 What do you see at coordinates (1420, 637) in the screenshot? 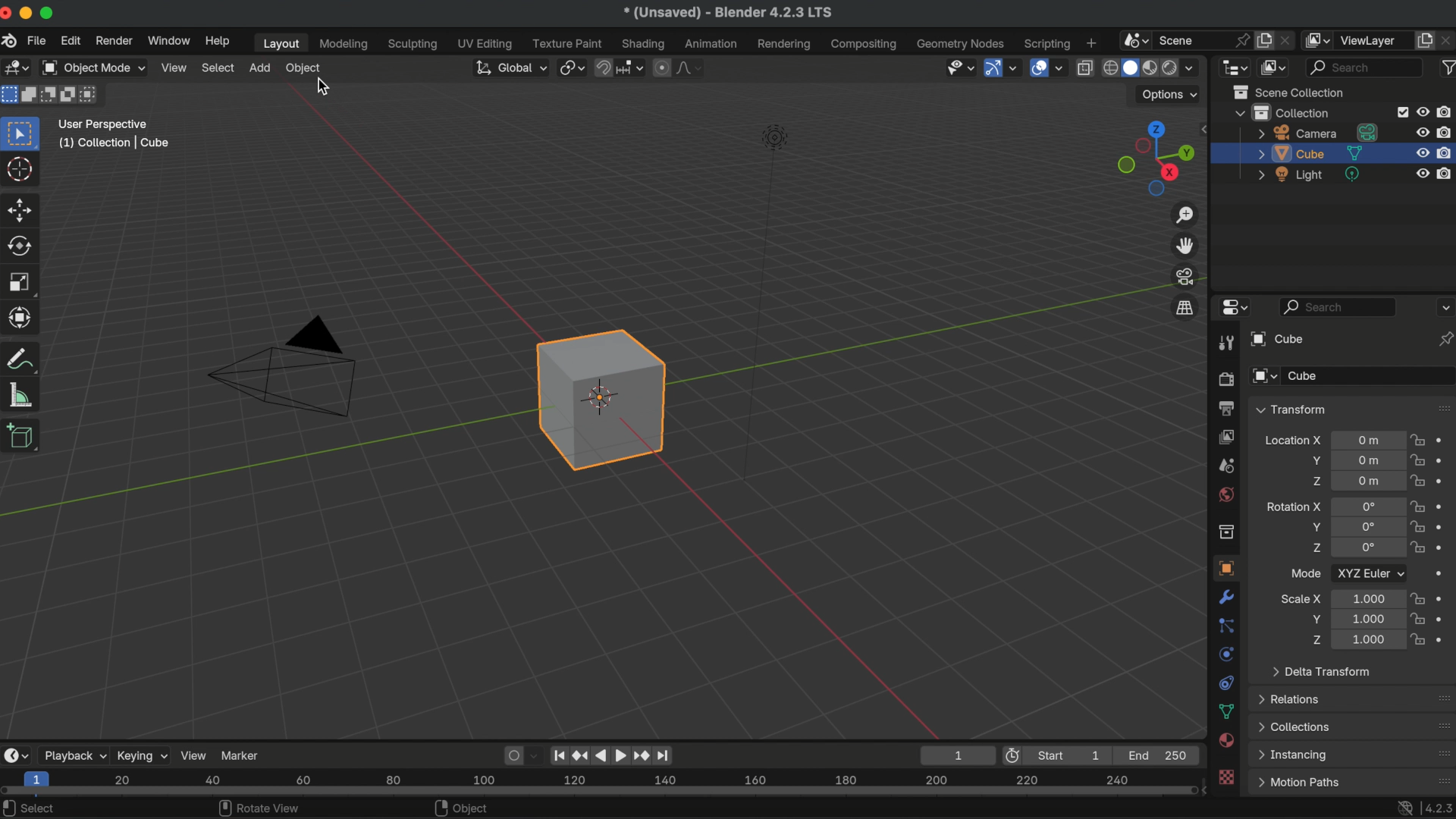
I see `lock scale` at bounding box center [1420, 637].